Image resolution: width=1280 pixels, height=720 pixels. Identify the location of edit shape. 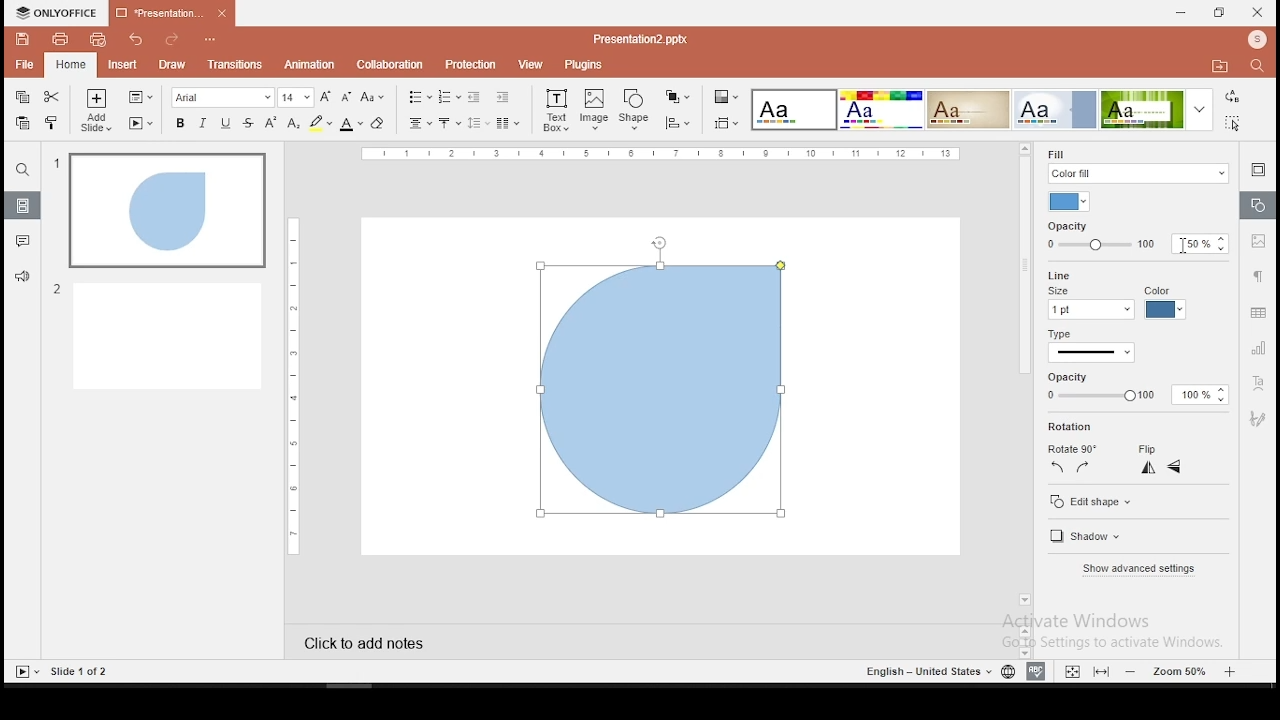
(1092, 503).